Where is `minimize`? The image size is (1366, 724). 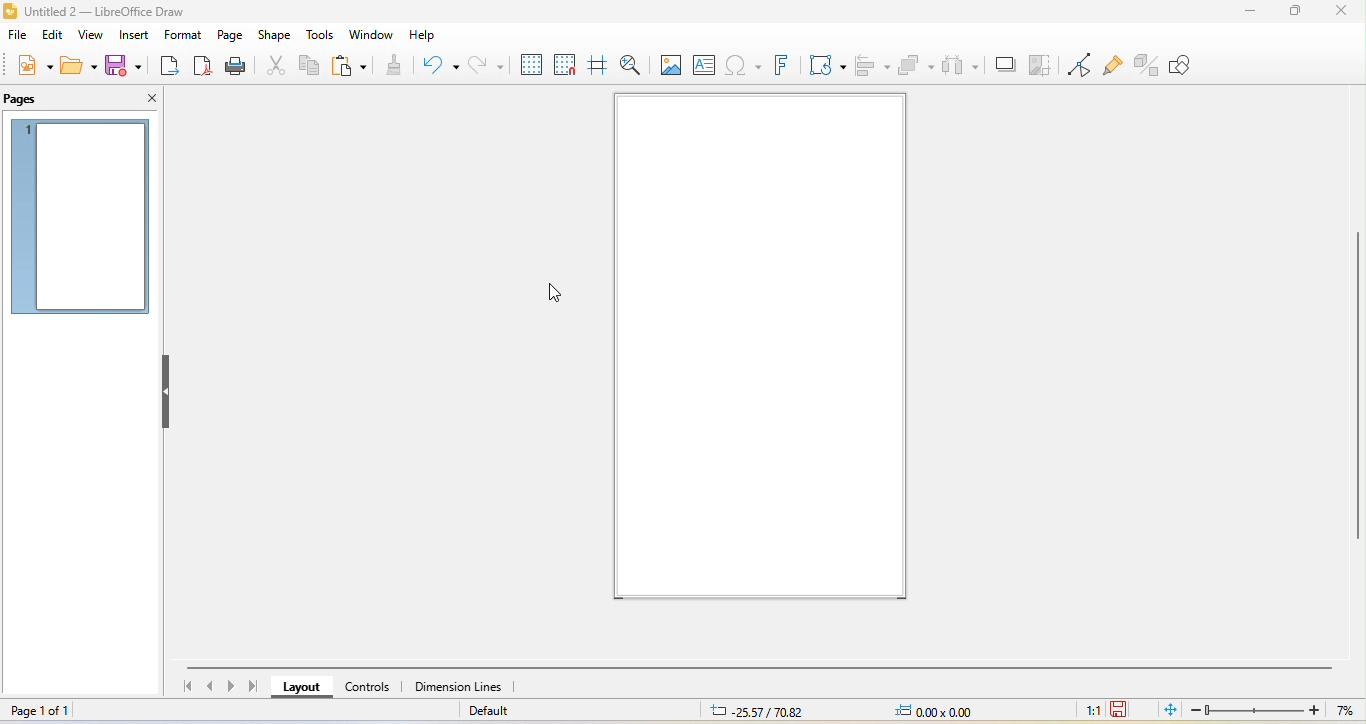
minimize is located at coordinates (1251, 10).